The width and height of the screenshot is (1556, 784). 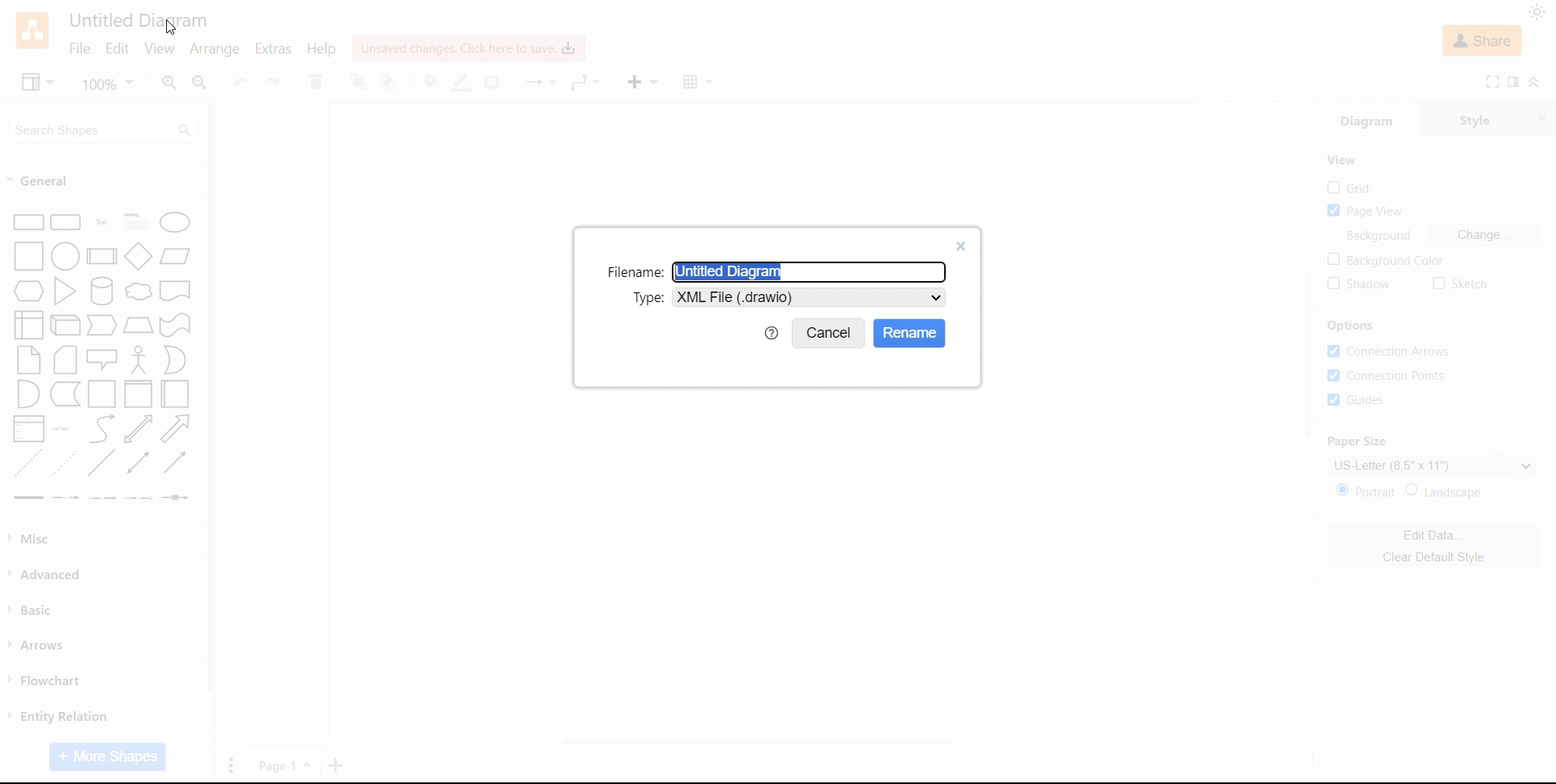 I want to click on sketch , so click(x=1460, y=284).